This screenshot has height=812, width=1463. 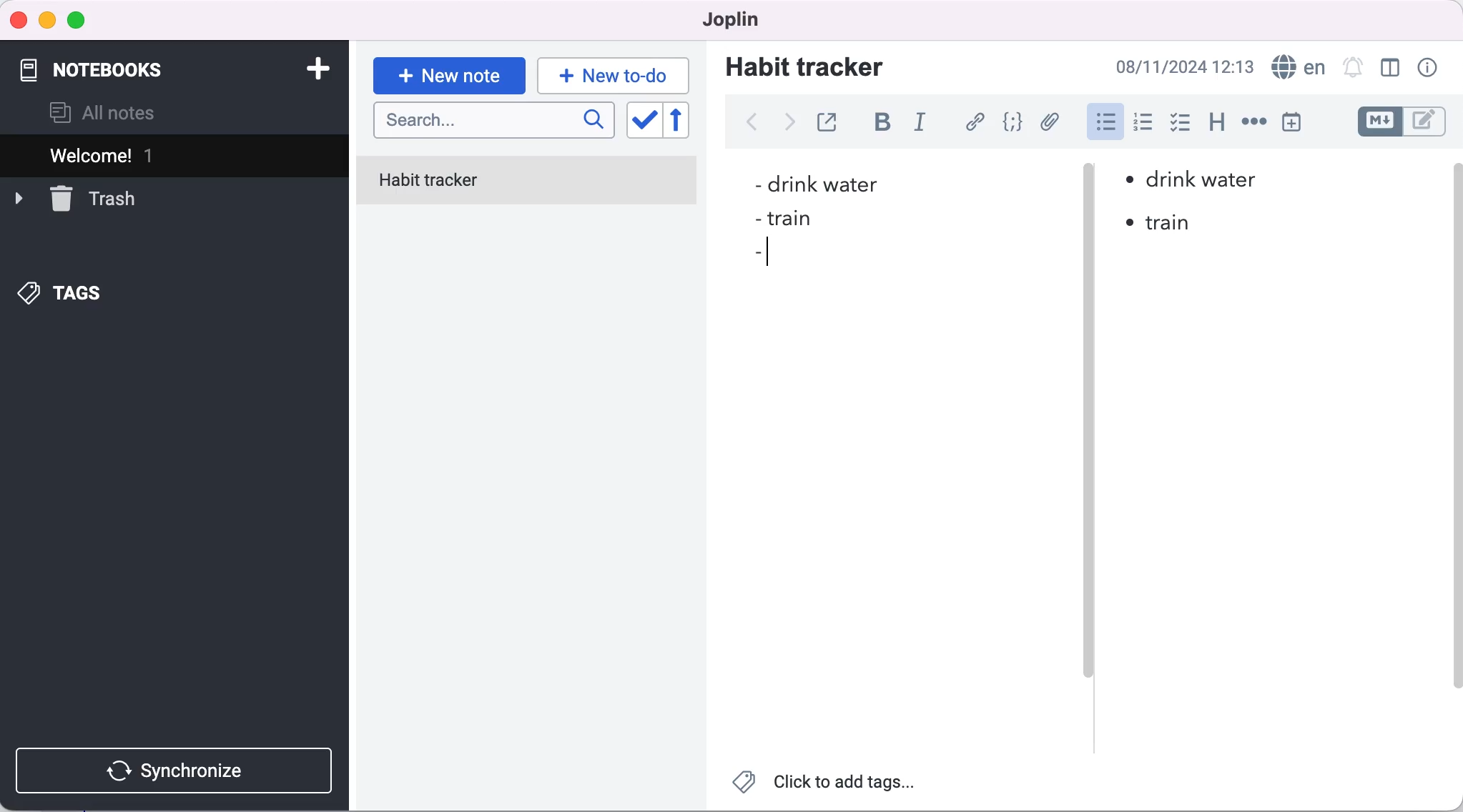 What do you see at coordinates (751, 122) in the screenshot?
I see `back` at bounding box center [751, 122].